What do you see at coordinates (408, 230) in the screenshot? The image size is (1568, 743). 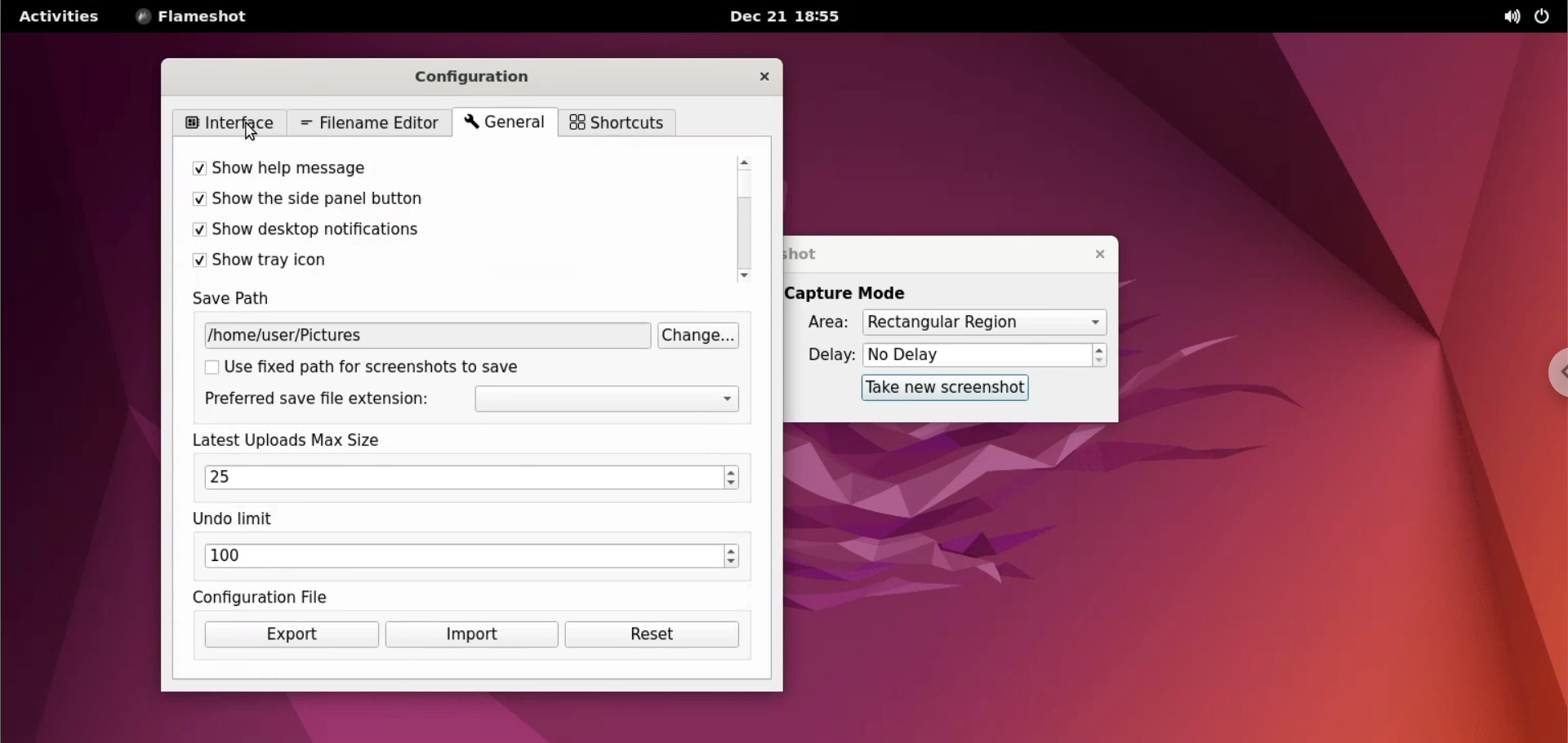 I see `show desktop notifications` at bounding box center [408, 230].